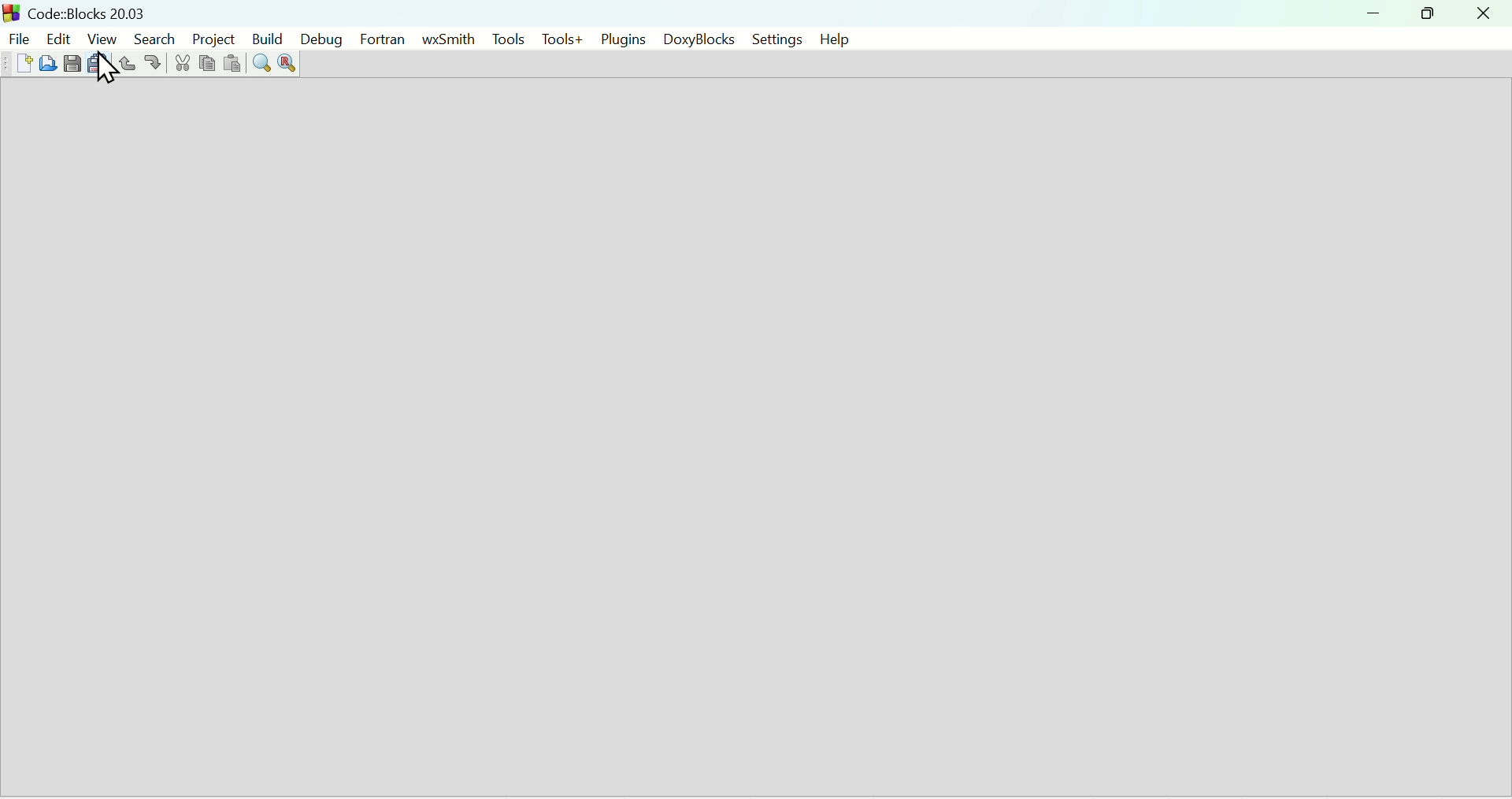  I want to click on Fortran, so click(384, 39).